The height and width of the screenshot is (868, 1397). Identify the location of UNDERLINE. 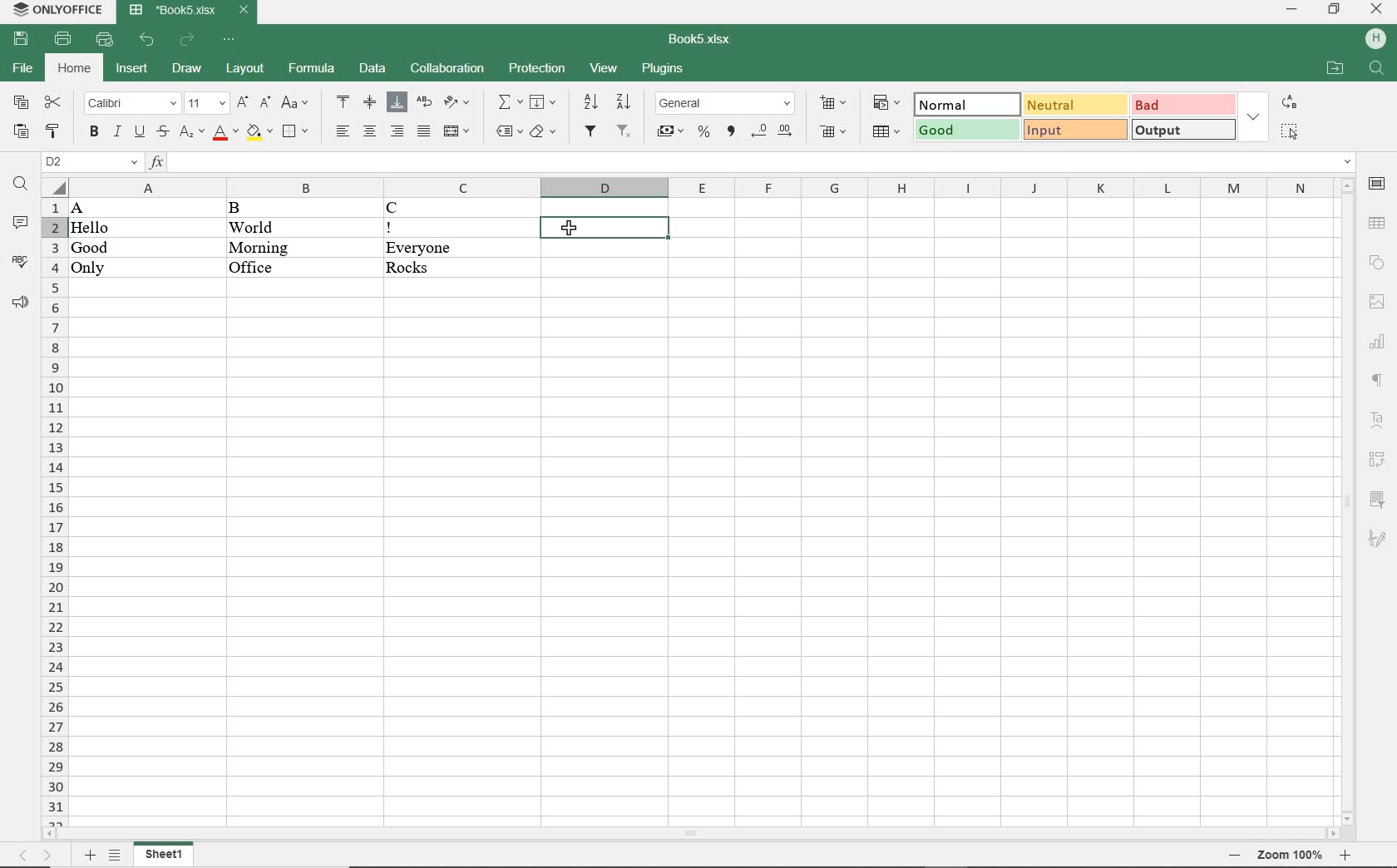
(141, 131).